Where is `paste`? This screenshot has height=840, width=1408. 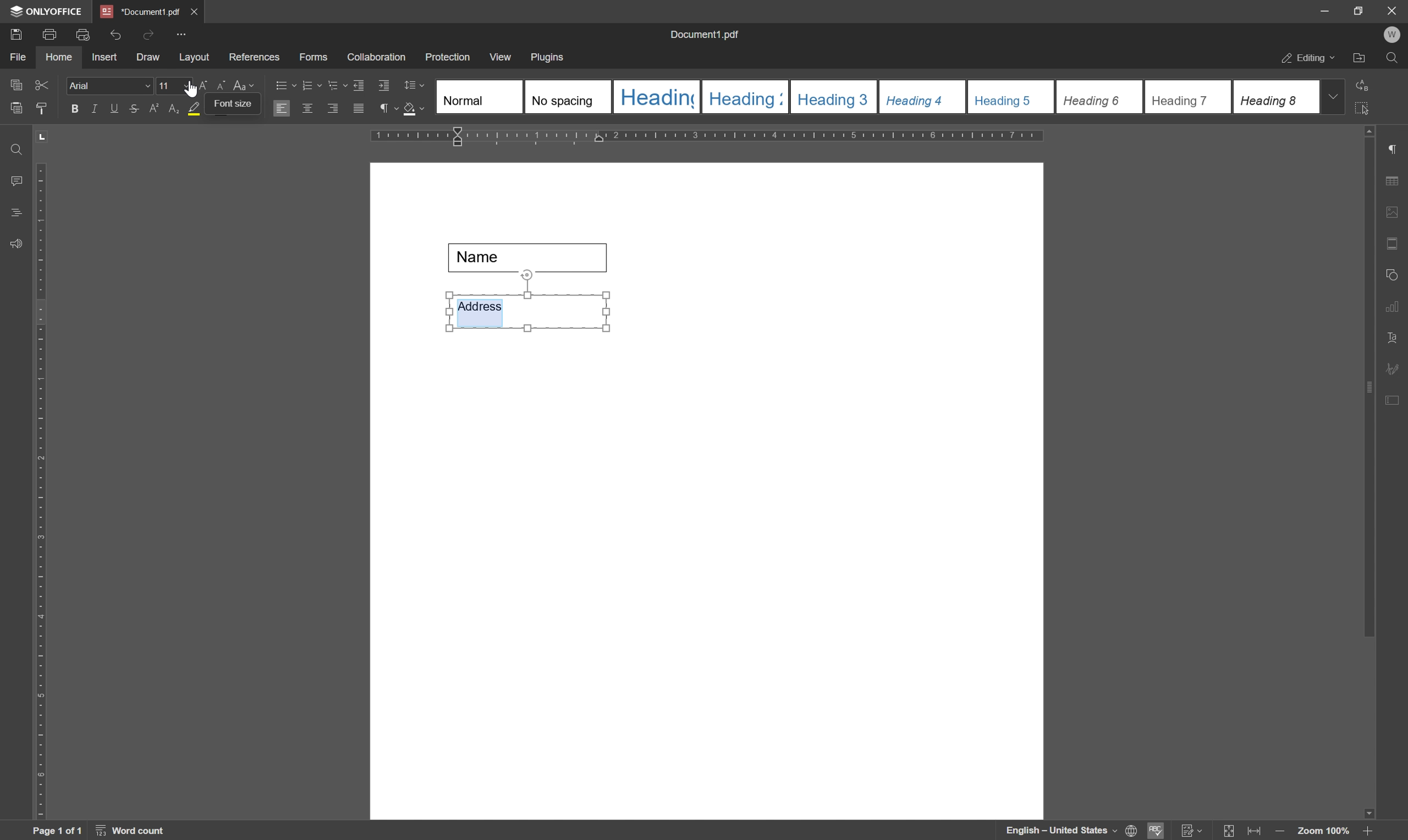
paste is located at coordinates (17, 109).